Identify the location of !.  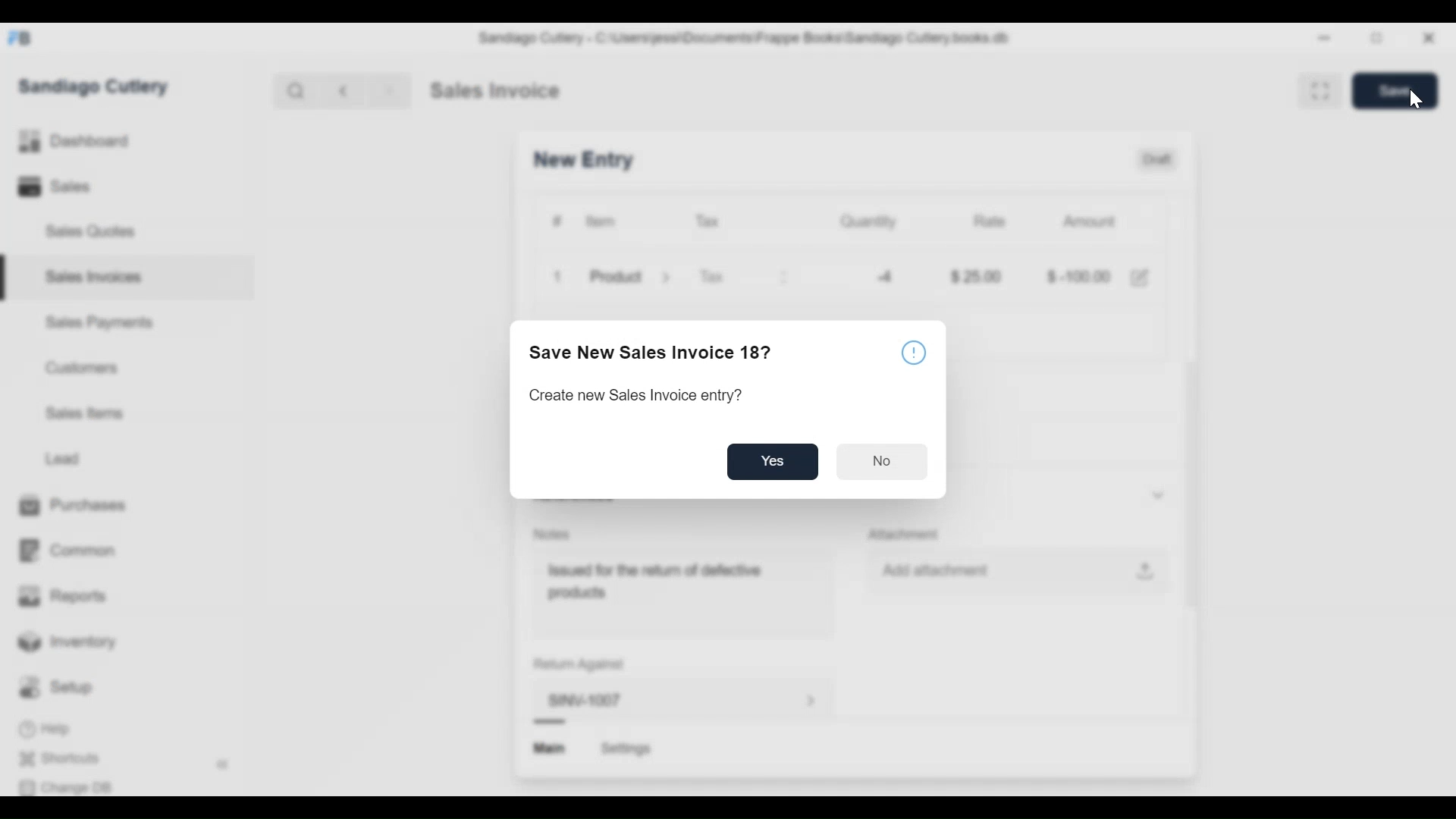
(915, 352).